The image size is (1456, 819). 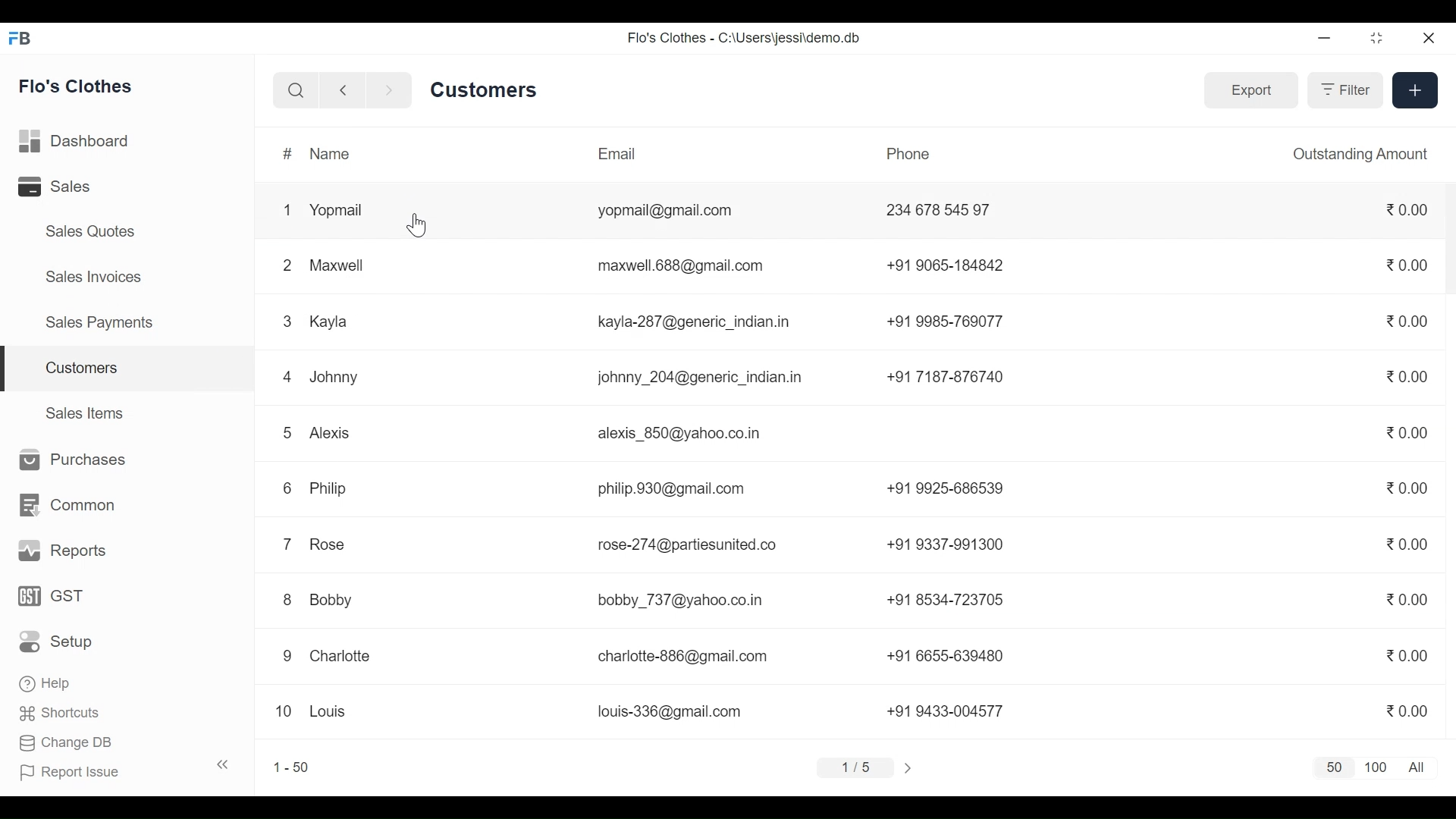 What do you see at coordinates (341, 89) in the screenshot?
I see `Navigate back` at bounding box center [341, 89].